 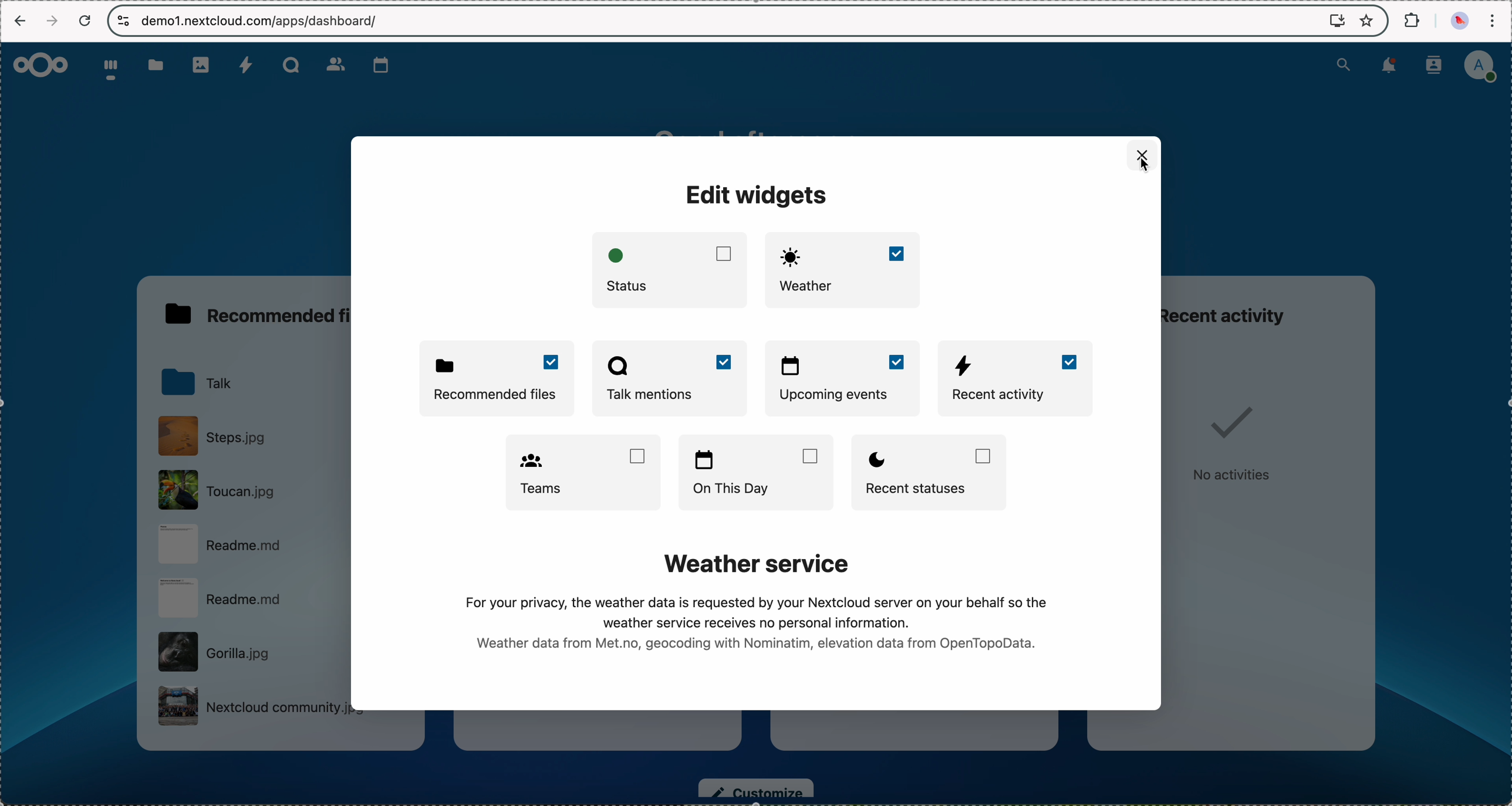 I want to click on Talk, so click(x=289, y=64).